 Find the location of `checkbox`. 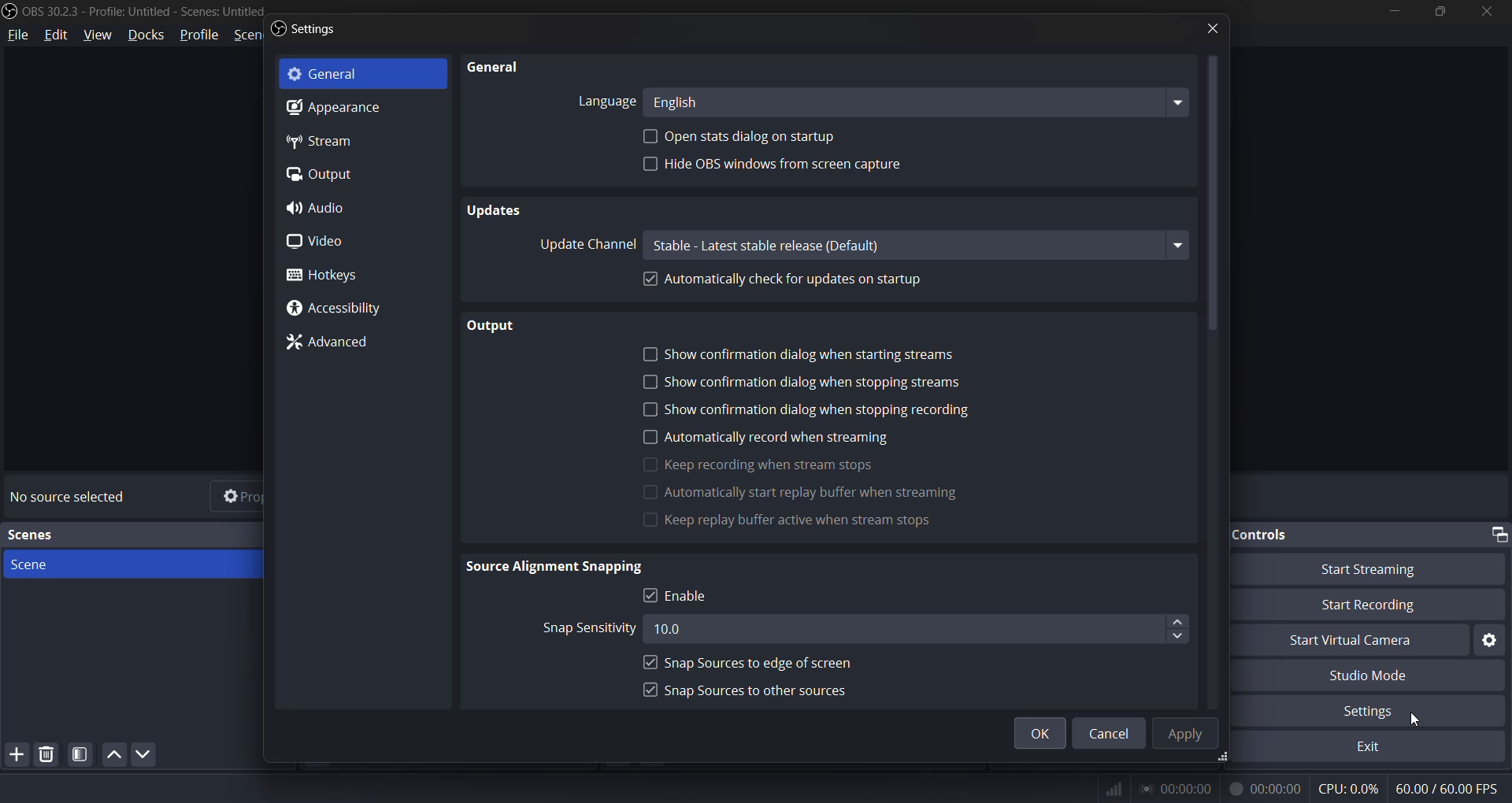

checkbox is located at coordinates (648, 437).